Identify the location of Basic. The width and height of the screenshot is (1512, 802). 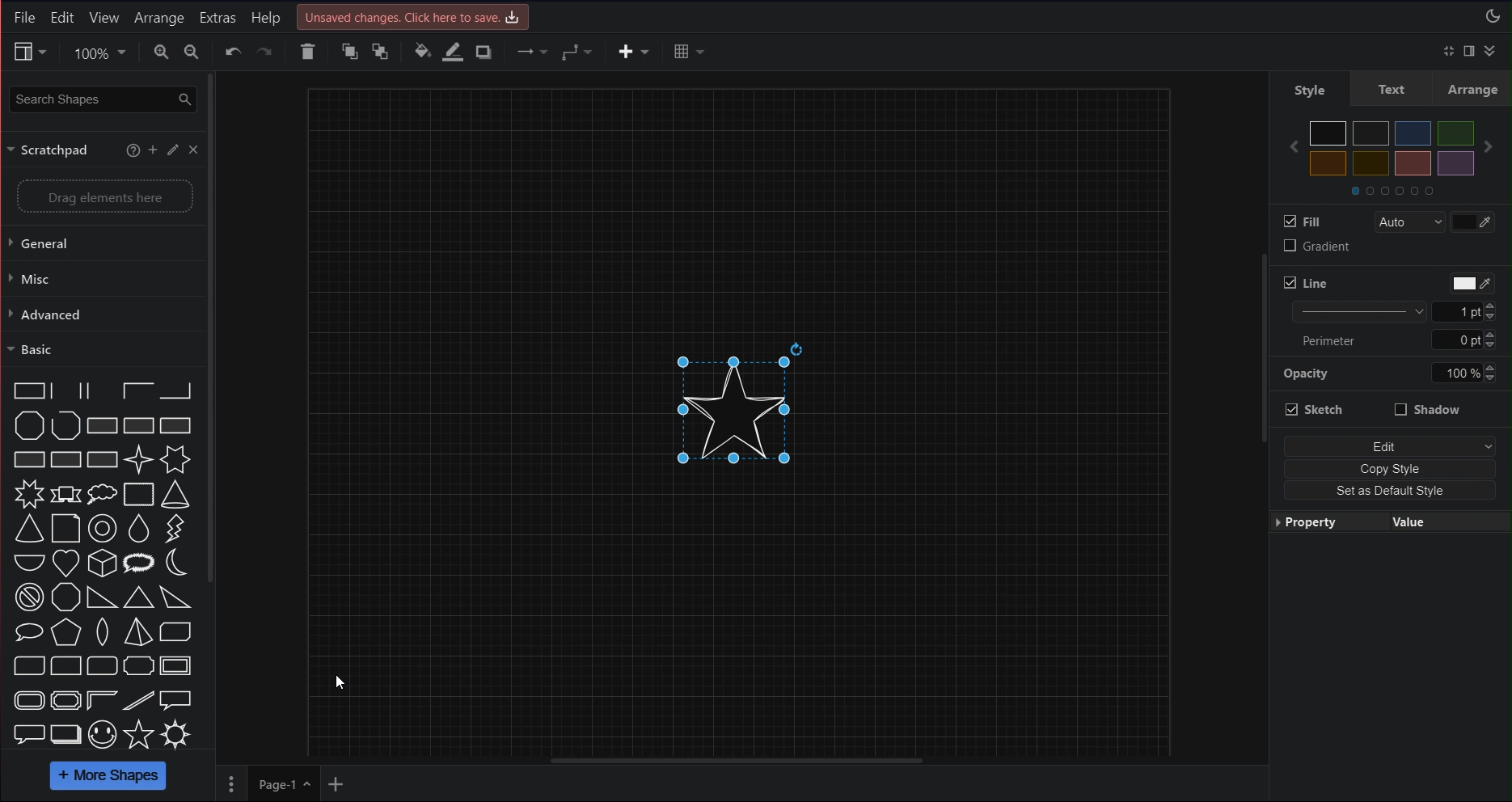
(99, 348).